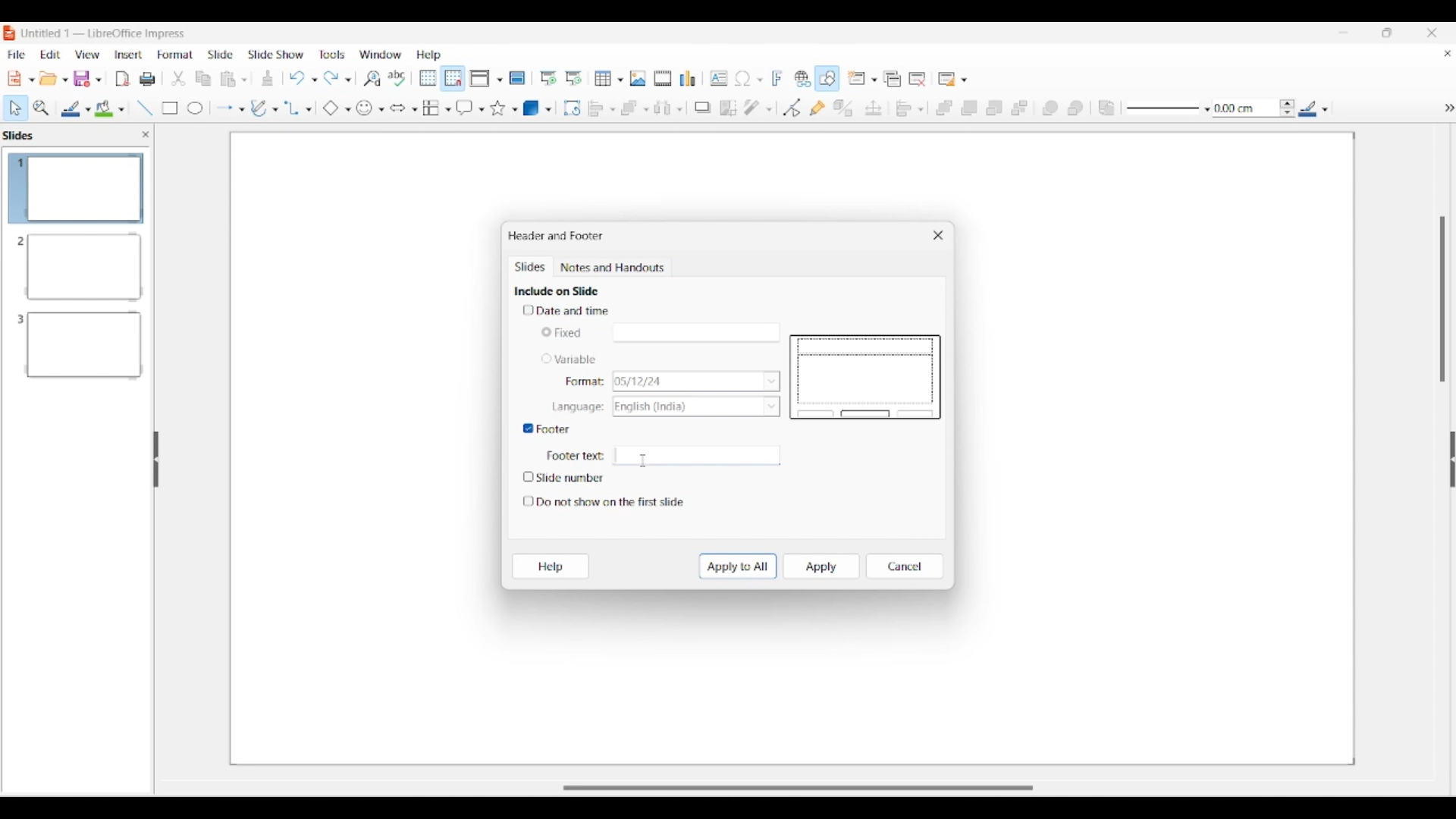 The width and height of the screenshot is (1456, 819). What do you see at coordinates (1288, 108) in the screenshot?
I see `Increase/Decrease line thickness` at bounding box center [1288, 108].